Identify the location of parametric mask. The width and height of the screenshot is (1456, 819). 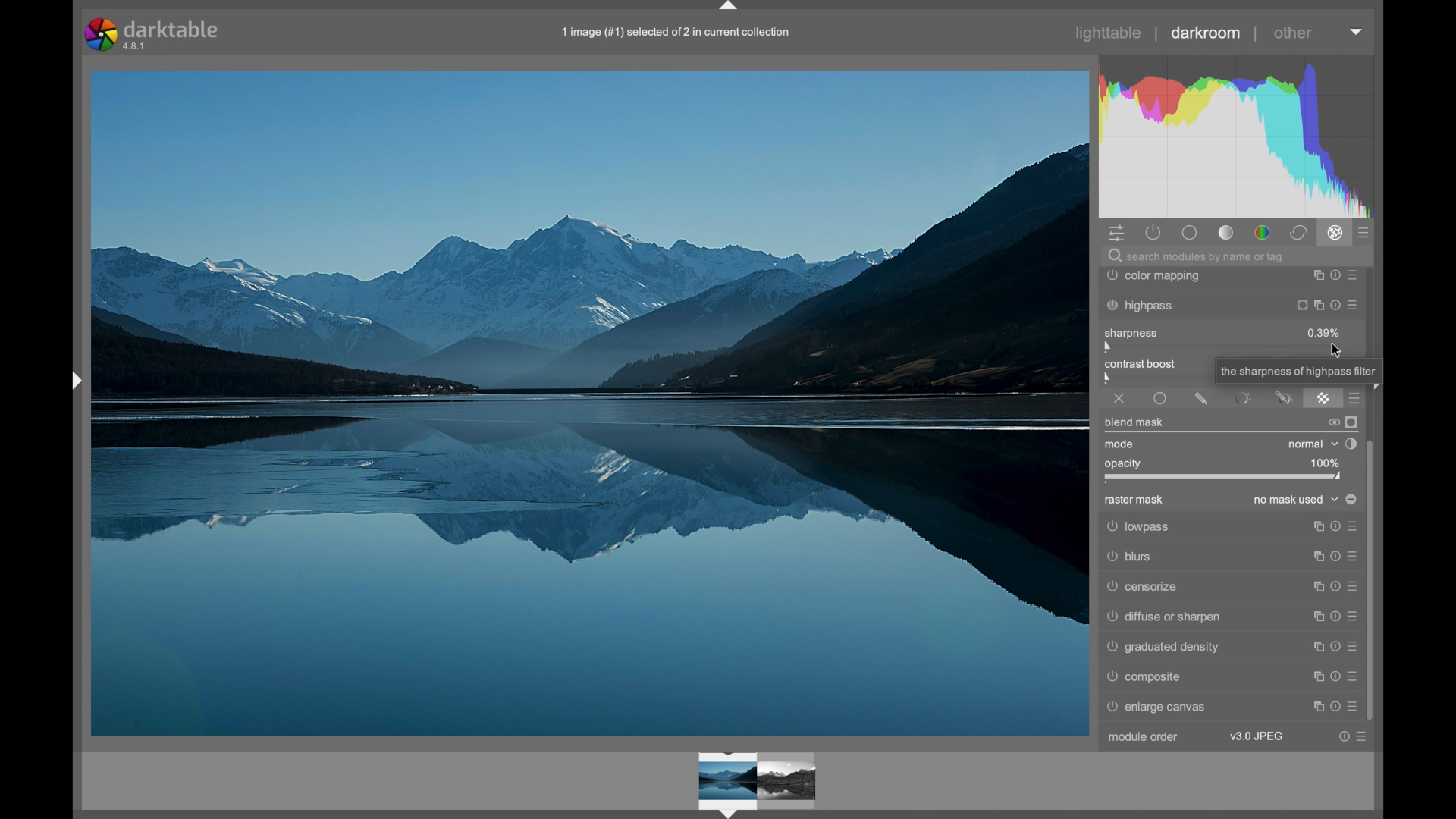
(1243, 398).